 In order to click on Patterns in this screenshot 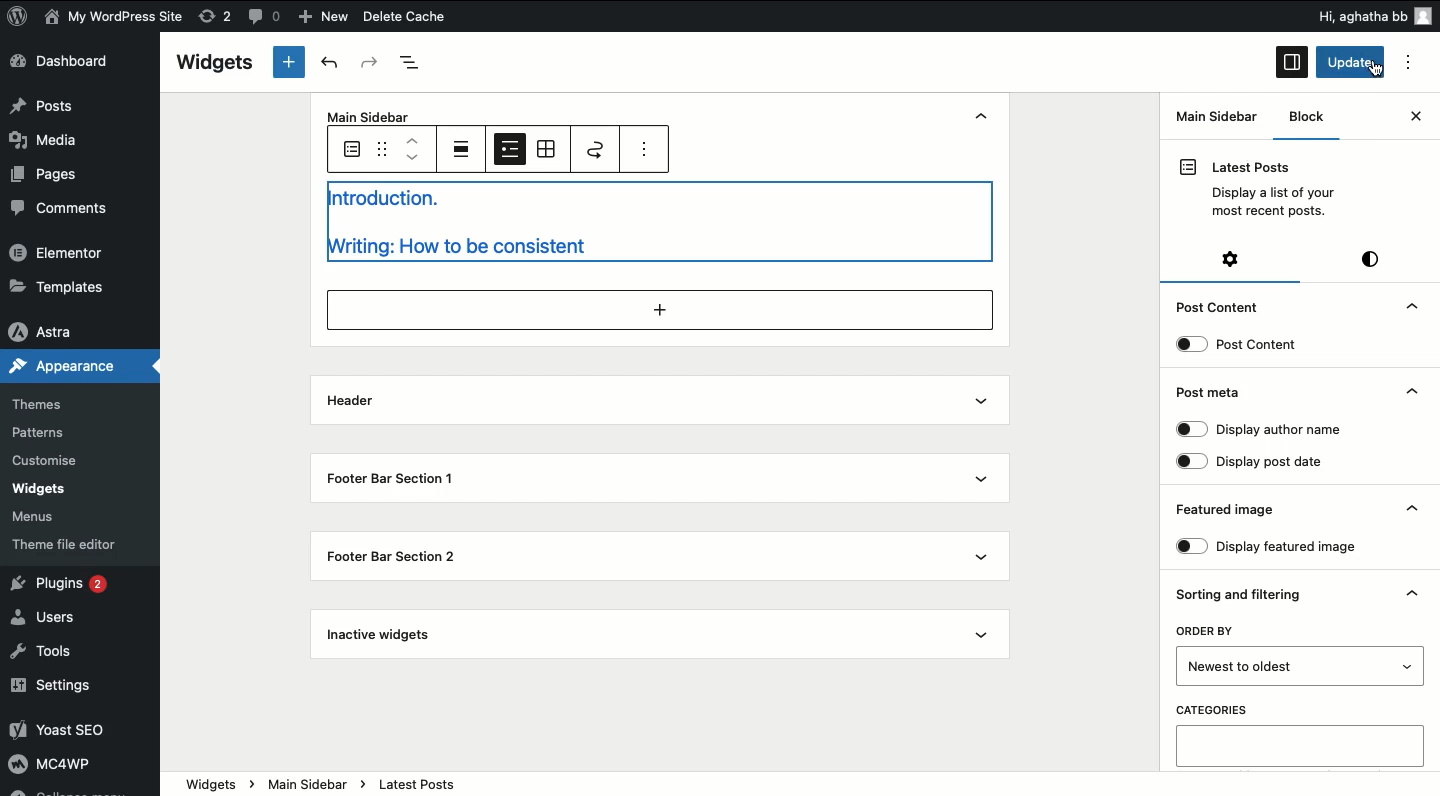, I will do `click(45, 430)`.